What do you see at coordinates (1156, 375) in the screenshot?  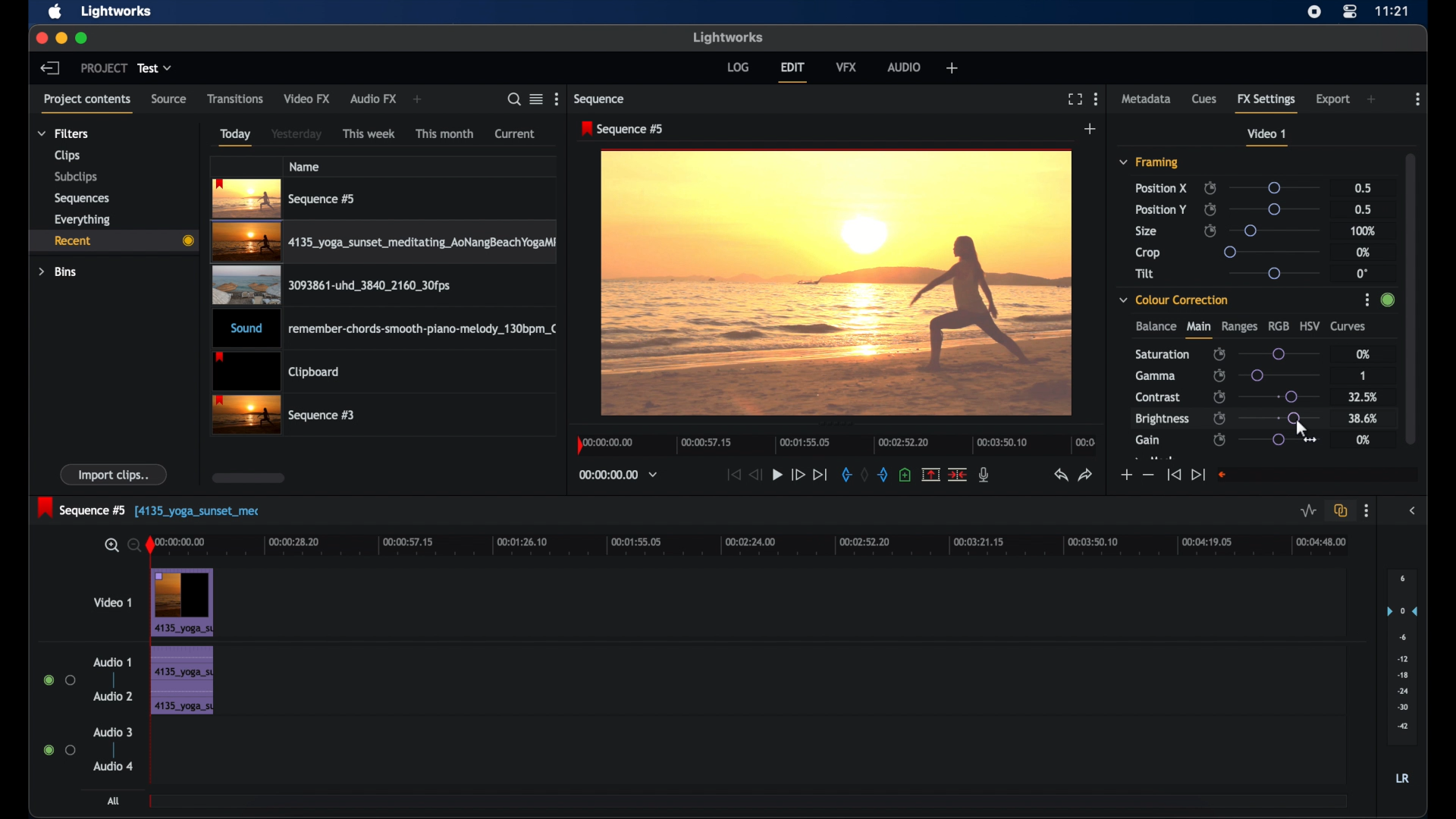 I see `gamma` at bounding box center [1156, 375].